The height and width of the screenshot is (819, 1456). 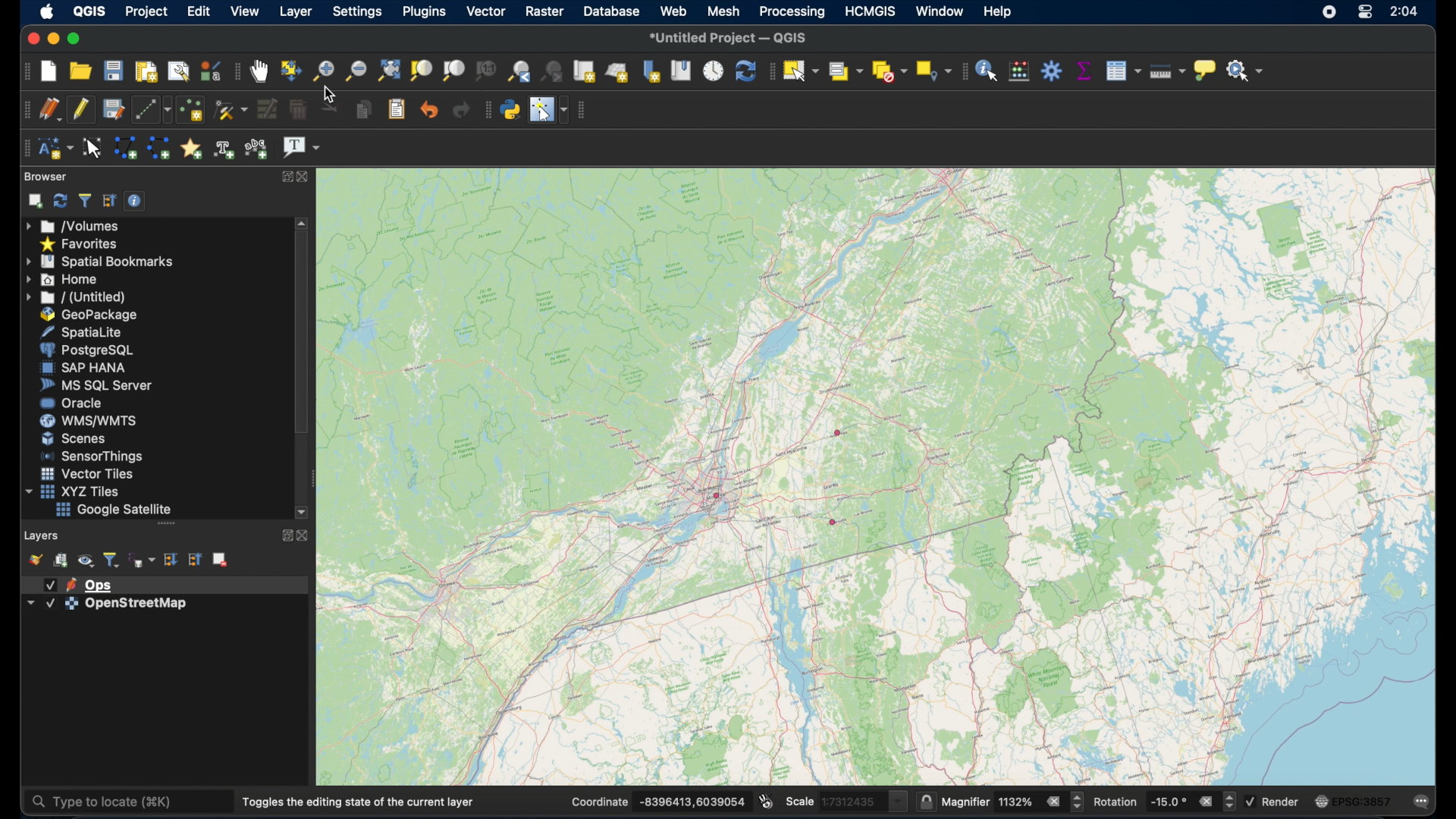 What do you see at coordinates (147, 12) in the screenshot?
I see `project` at bounding box center [147, 12].